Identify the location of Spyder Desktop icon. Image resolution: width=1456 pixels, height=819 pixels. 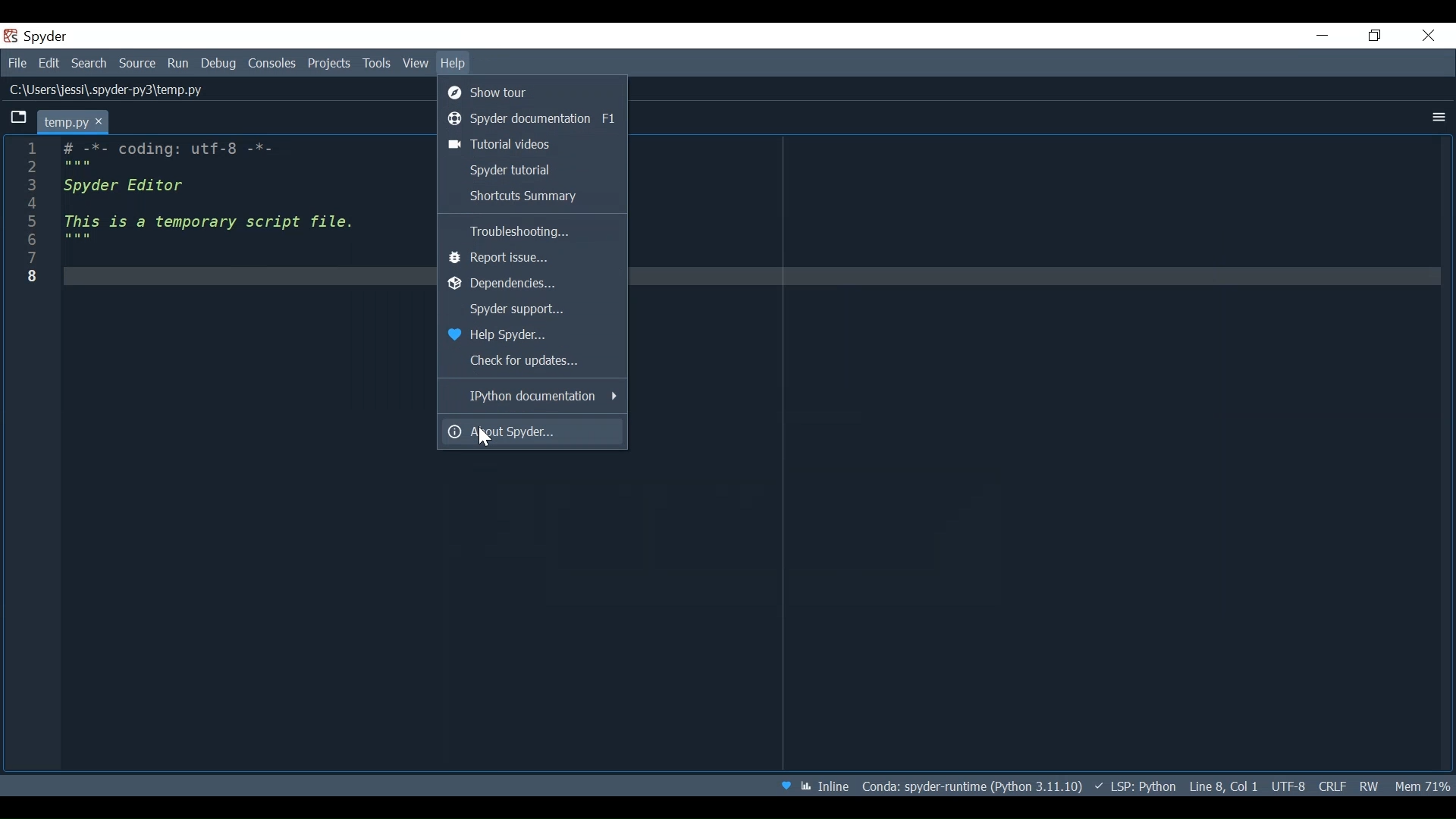
(36, 36).